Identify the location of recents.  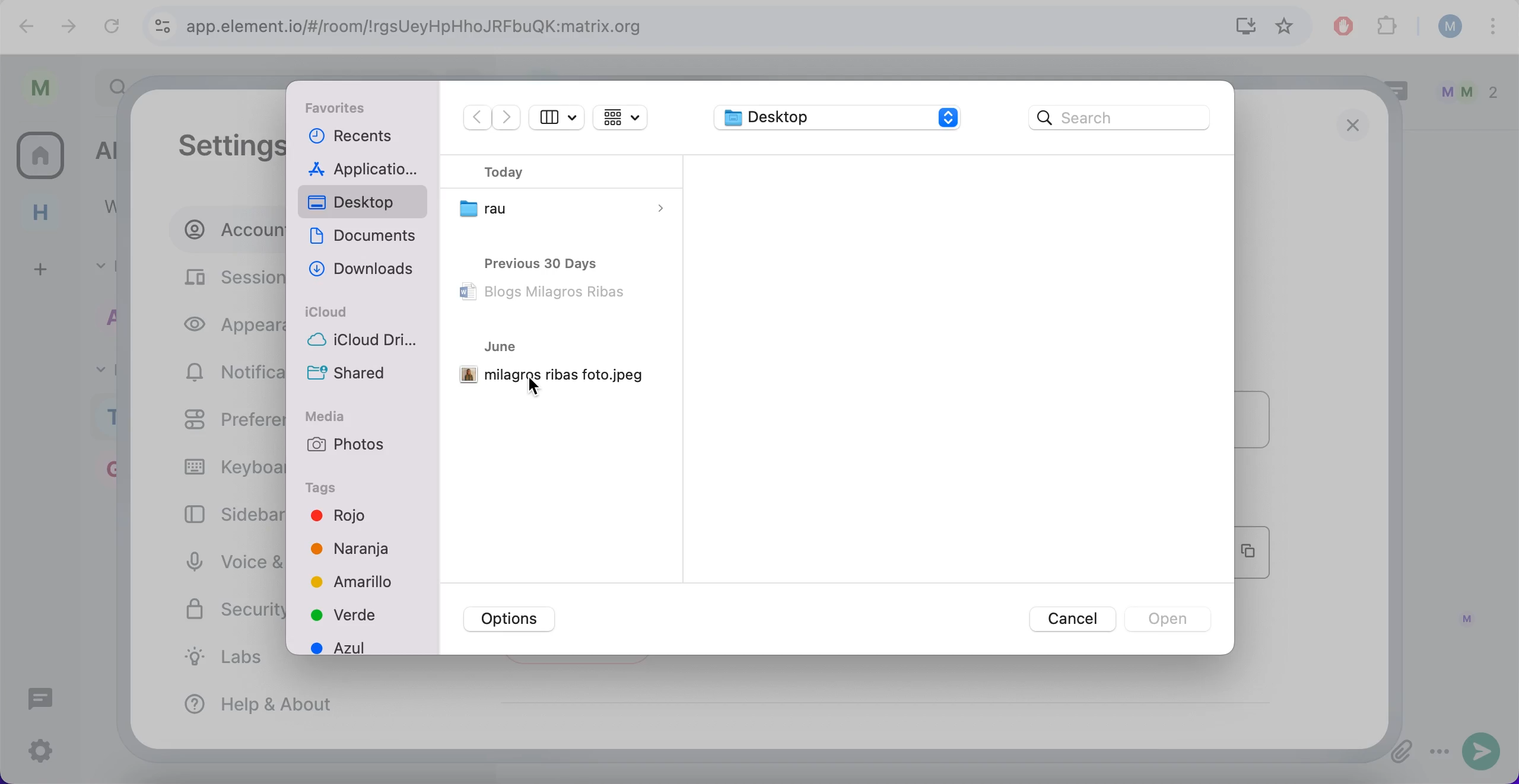
(363, 135).